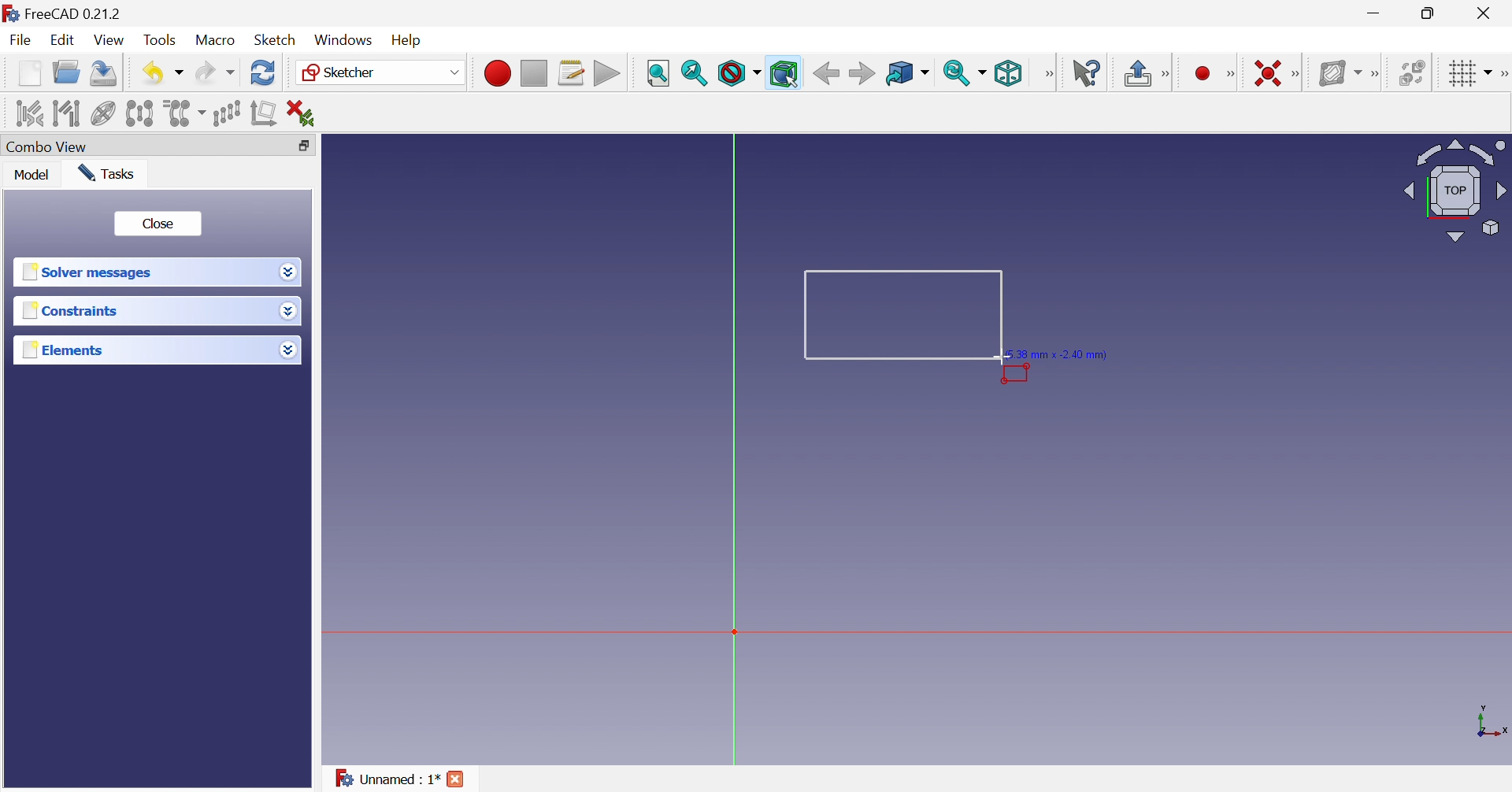 The height and width of the screenshot is (792, 1512). What do you see at coordinates (31, 175) in the screenshot?
I see `Model` at bounding box center [31, 175].